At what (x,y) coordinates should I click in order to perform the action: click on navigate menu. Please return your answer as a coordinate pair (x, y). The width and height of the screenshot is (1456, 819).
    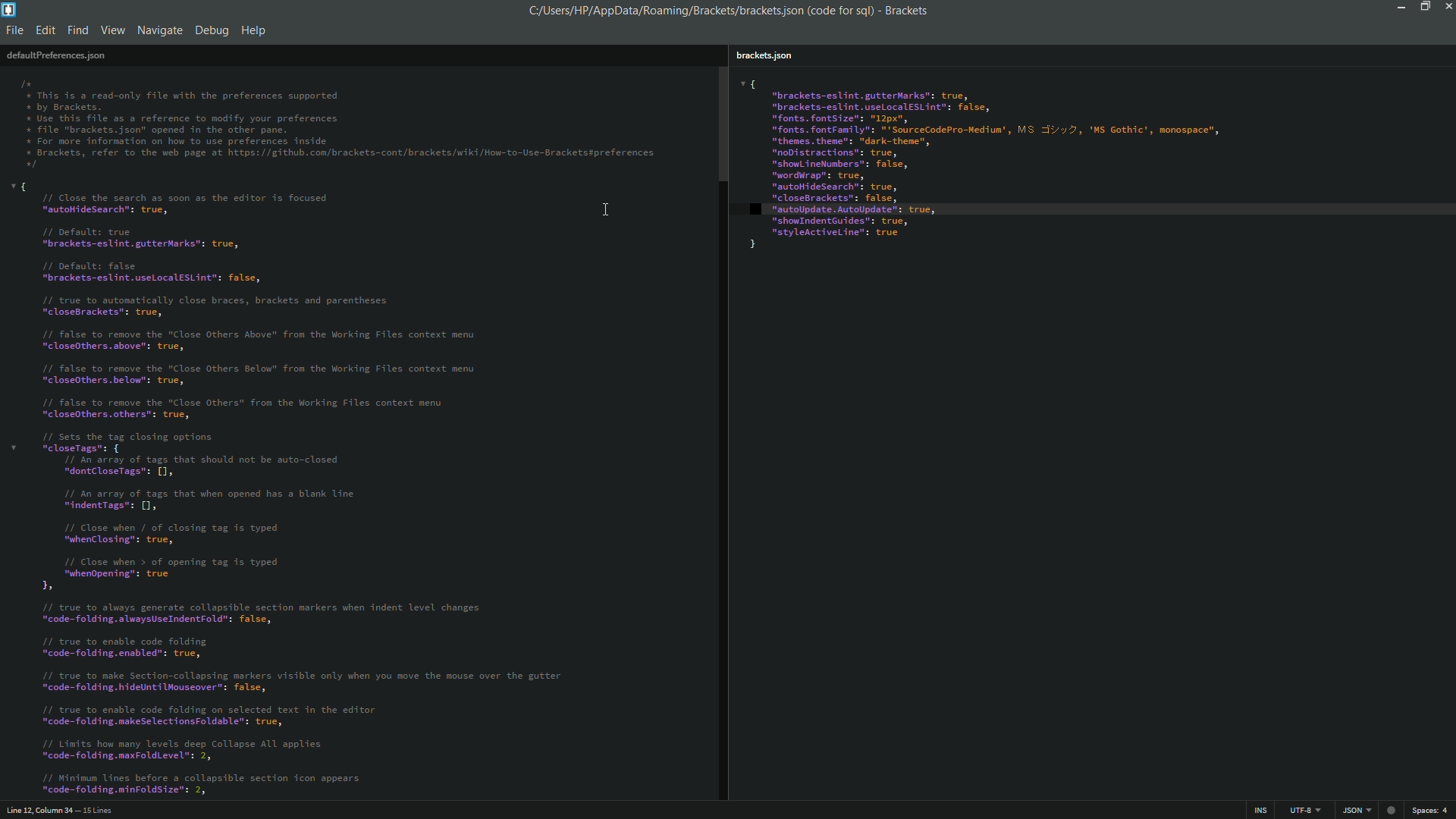
    Looking at the image, I should click on (158, 30).